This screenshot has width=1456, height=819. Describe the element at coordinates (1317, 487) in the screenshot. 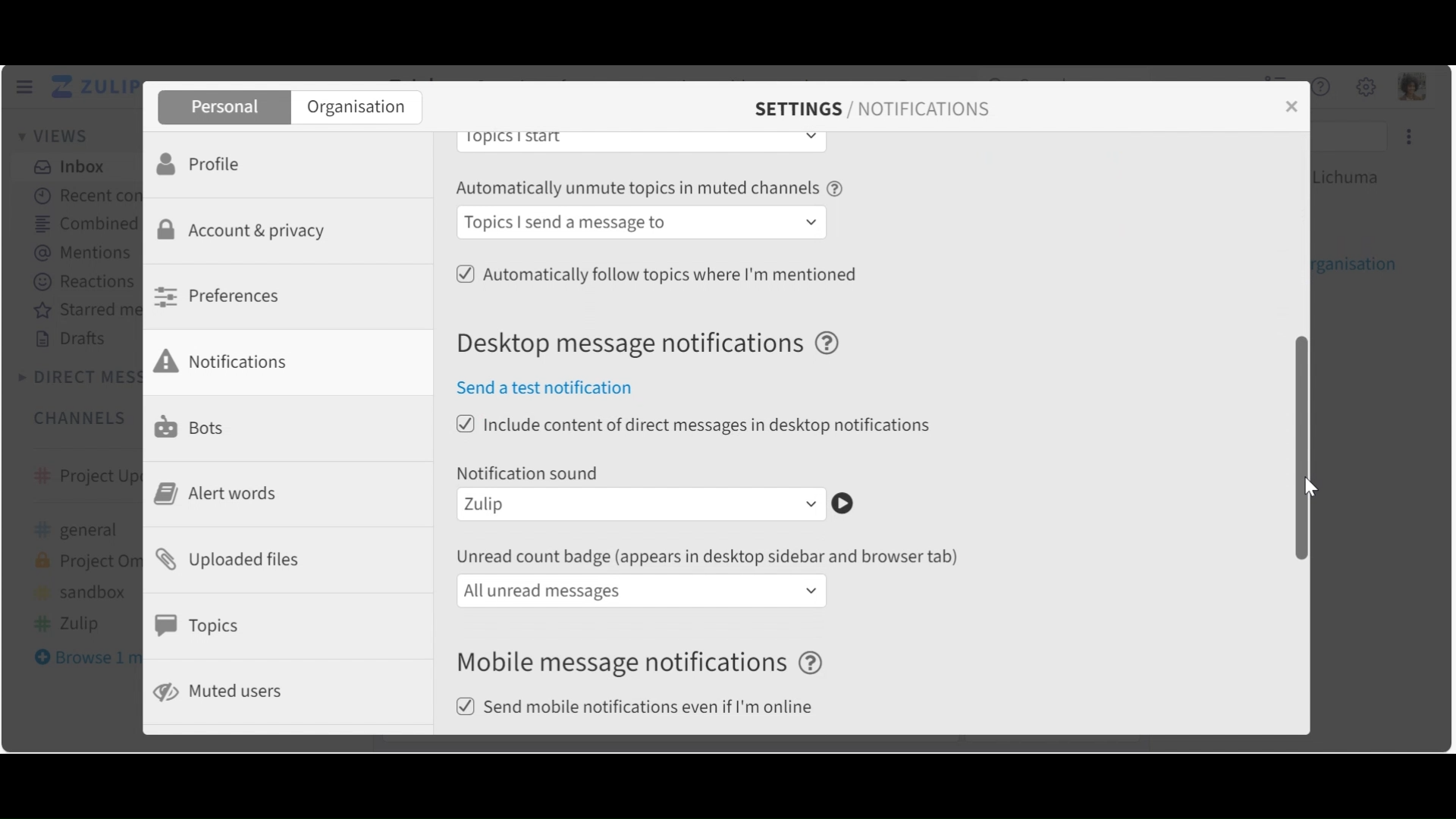

I see `cursor` at that location.